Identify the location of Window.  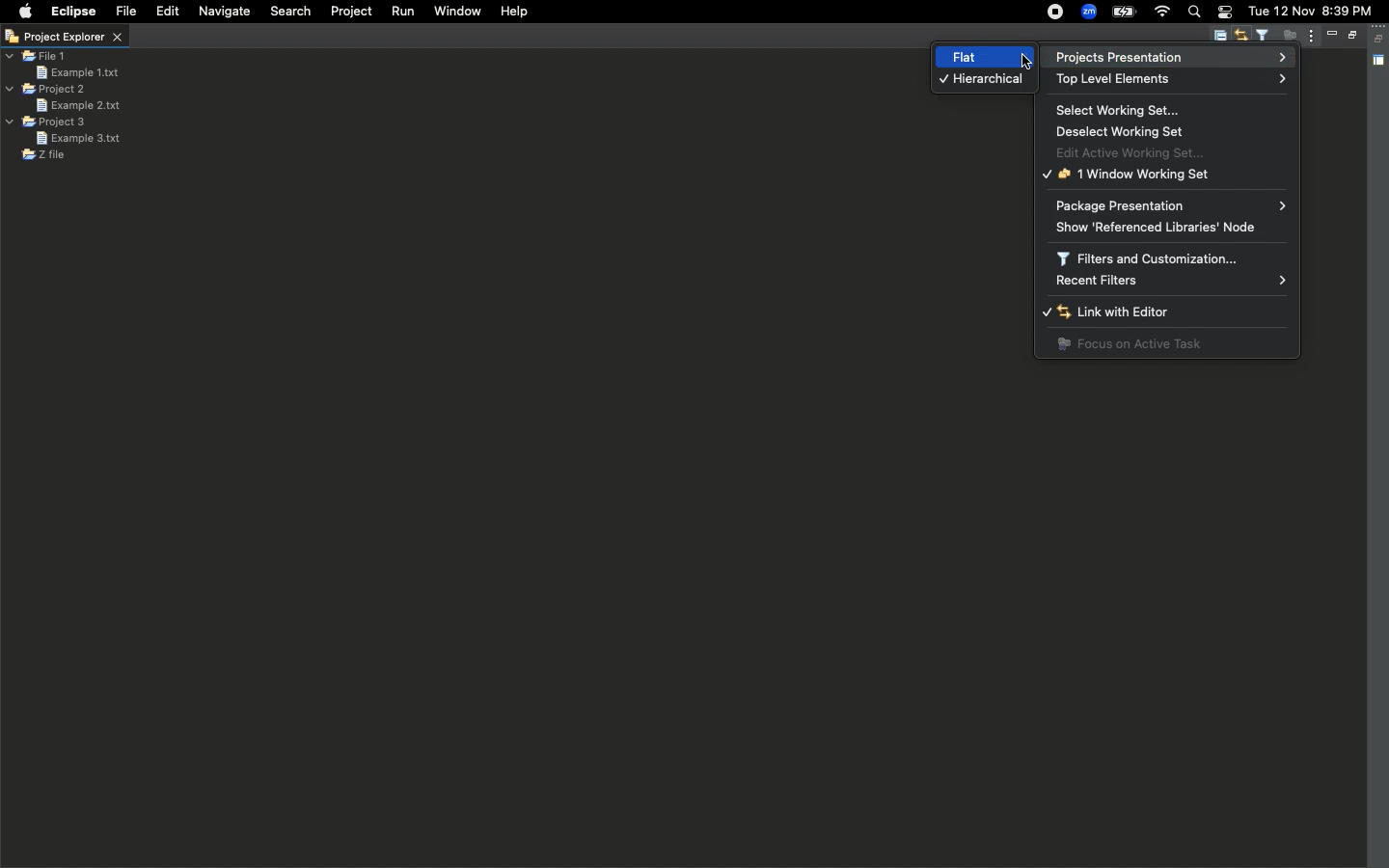
(456, 14).